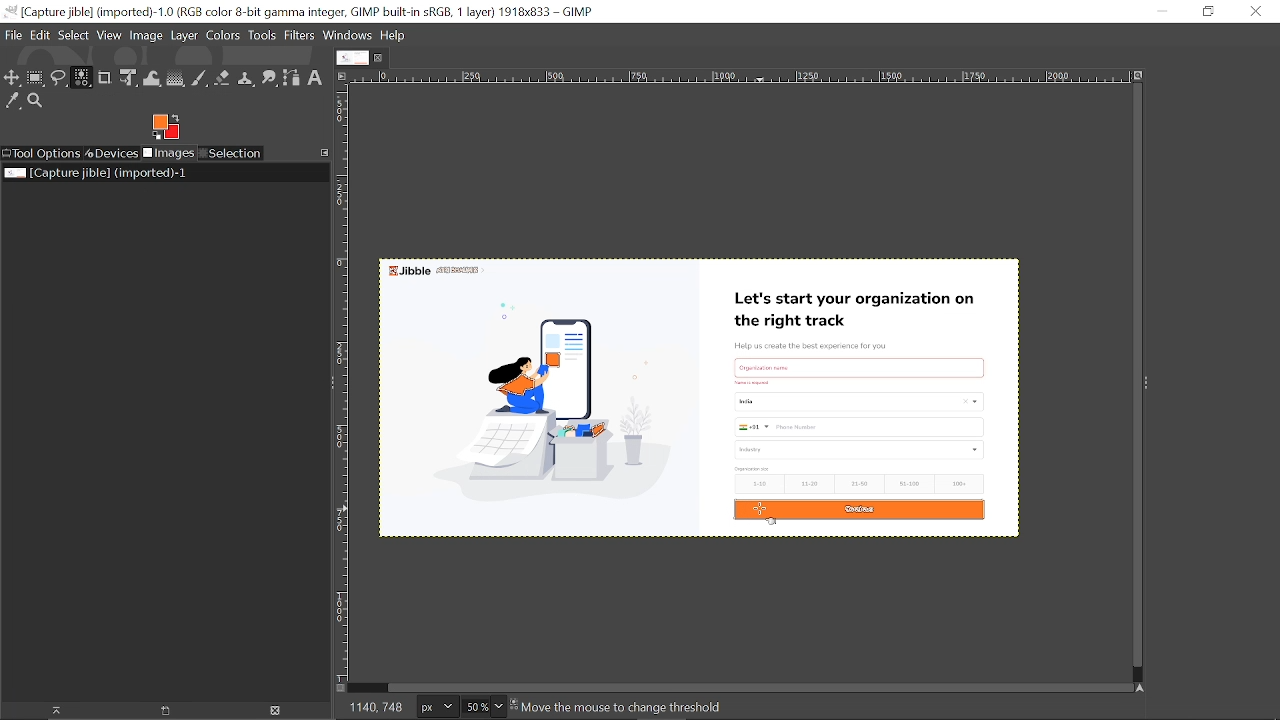 The width and height of the screenshot is (1280, 720). Describe the element at coordinates (164, 126) in the screenshot. I see `Fore ground tool` at that location.